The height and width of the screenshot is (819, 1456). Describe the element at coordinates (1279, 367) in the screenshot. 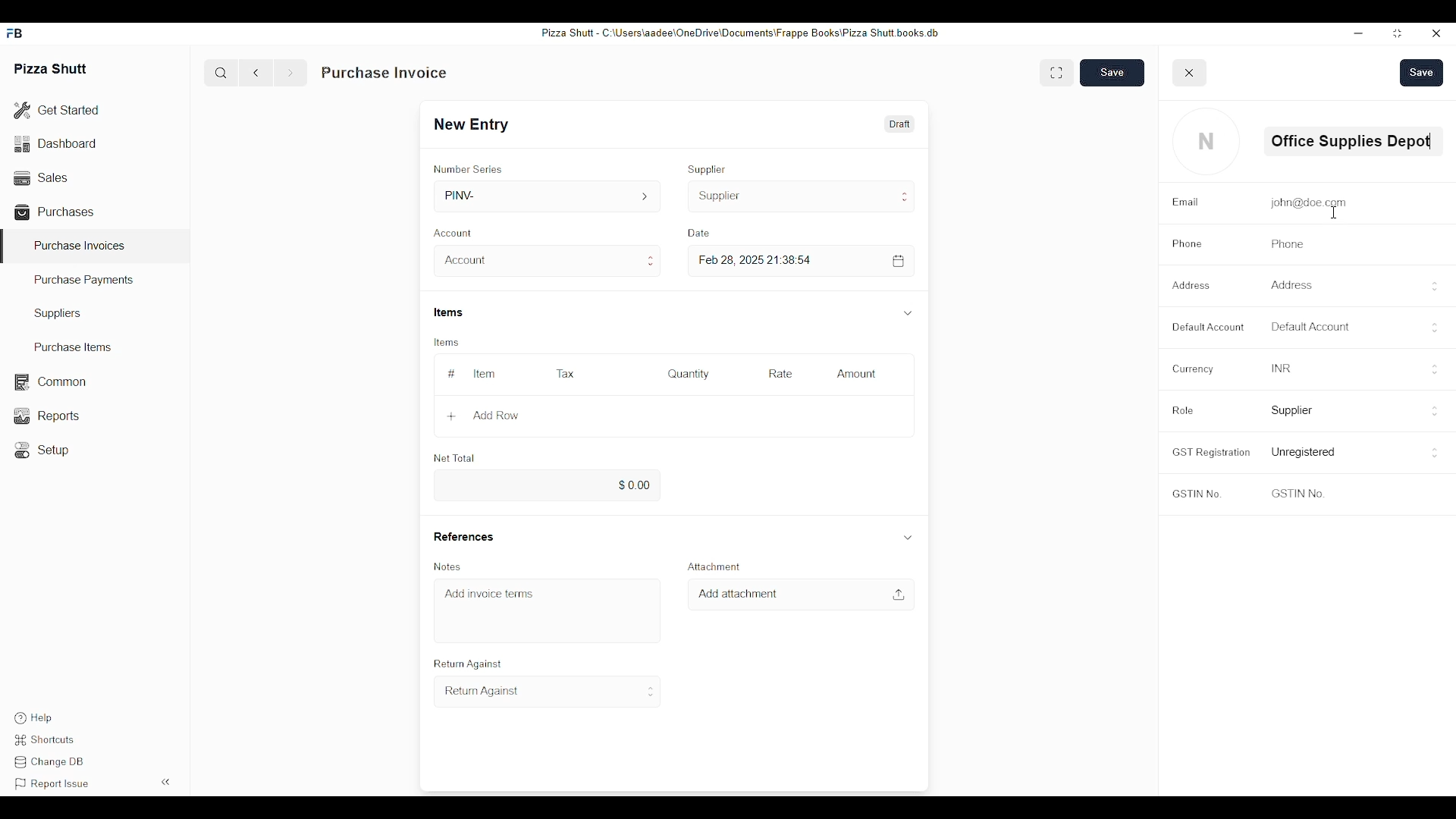

I see `INR` at that location.